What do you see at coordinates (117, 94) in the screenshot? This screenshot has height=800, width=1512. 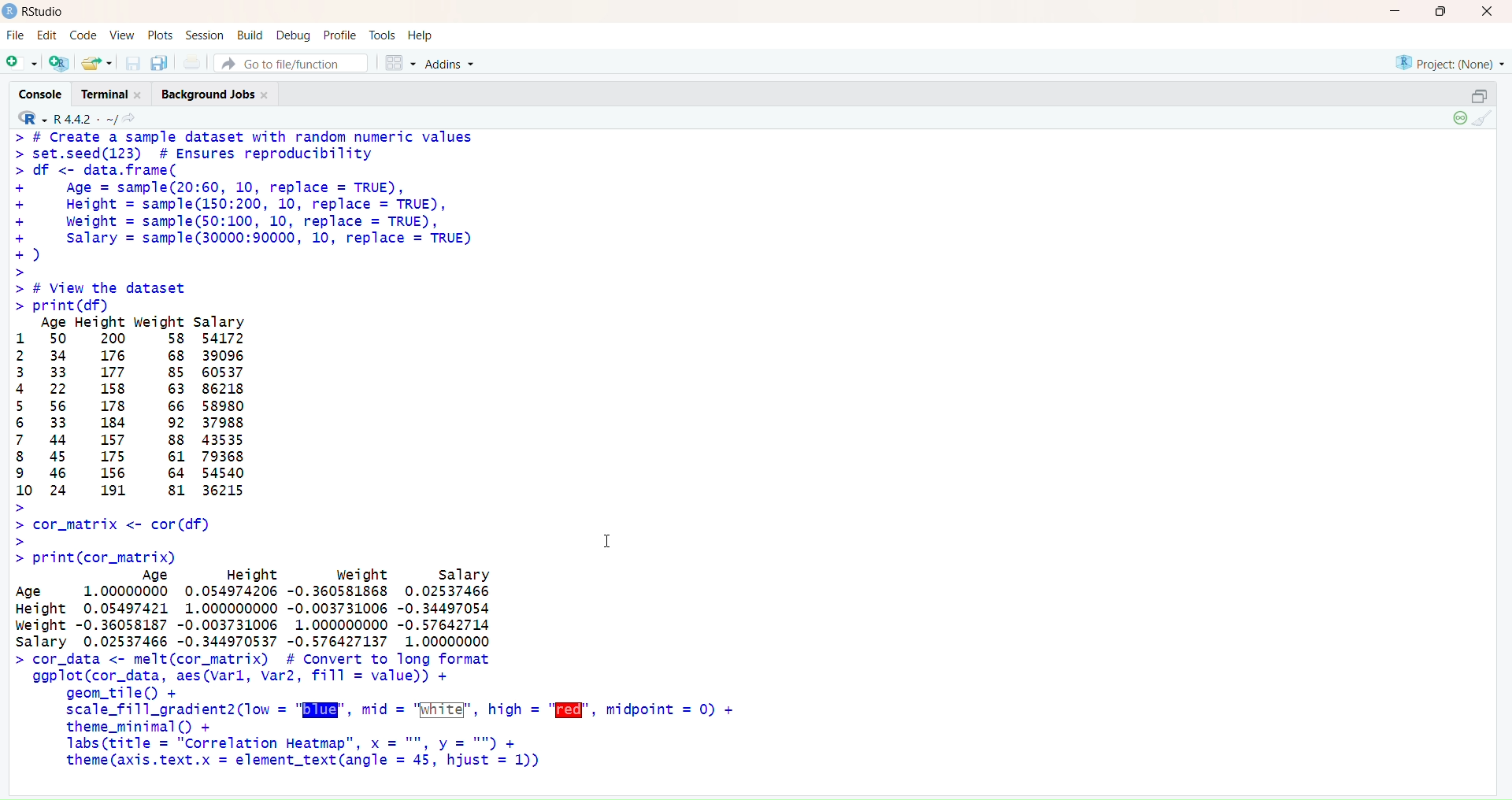 I see `Terminal` at bounding box center [117, 94].